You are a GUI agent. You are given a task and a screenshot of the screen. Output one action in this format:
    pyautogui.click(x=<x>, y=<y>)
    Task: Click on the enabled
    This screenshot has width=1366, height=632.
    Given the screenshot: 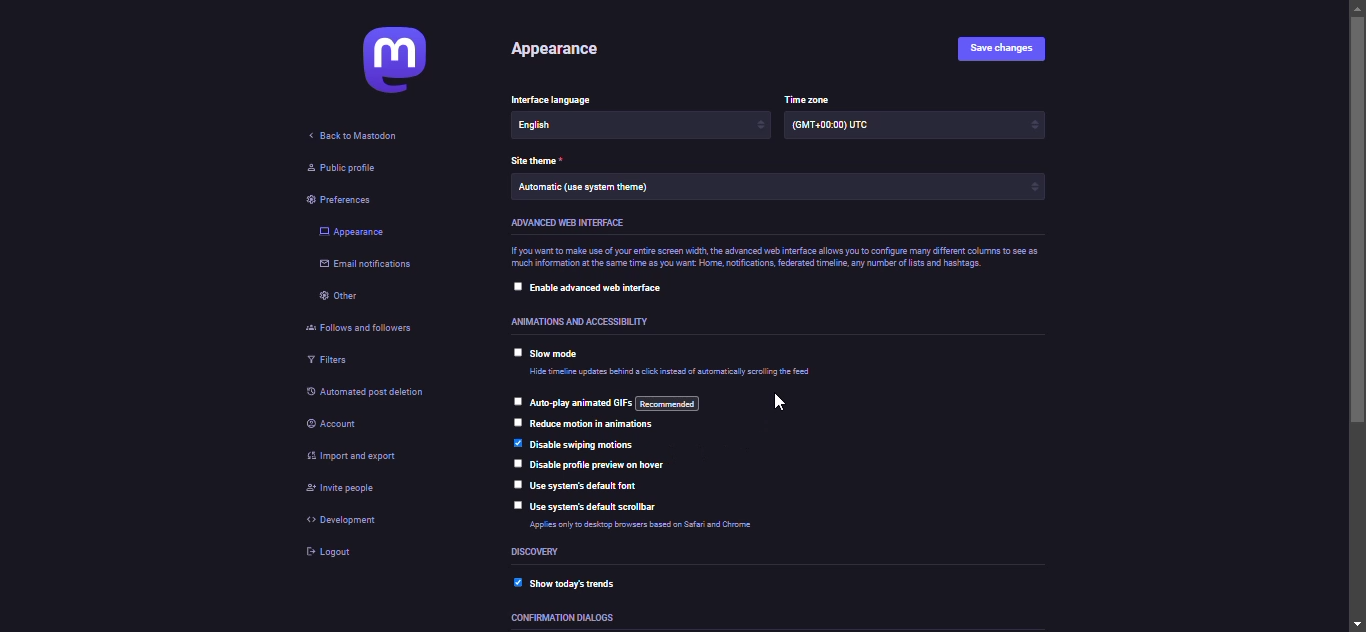 What is the action you would take?
    pyautogui.click(x=516, y=443)
    